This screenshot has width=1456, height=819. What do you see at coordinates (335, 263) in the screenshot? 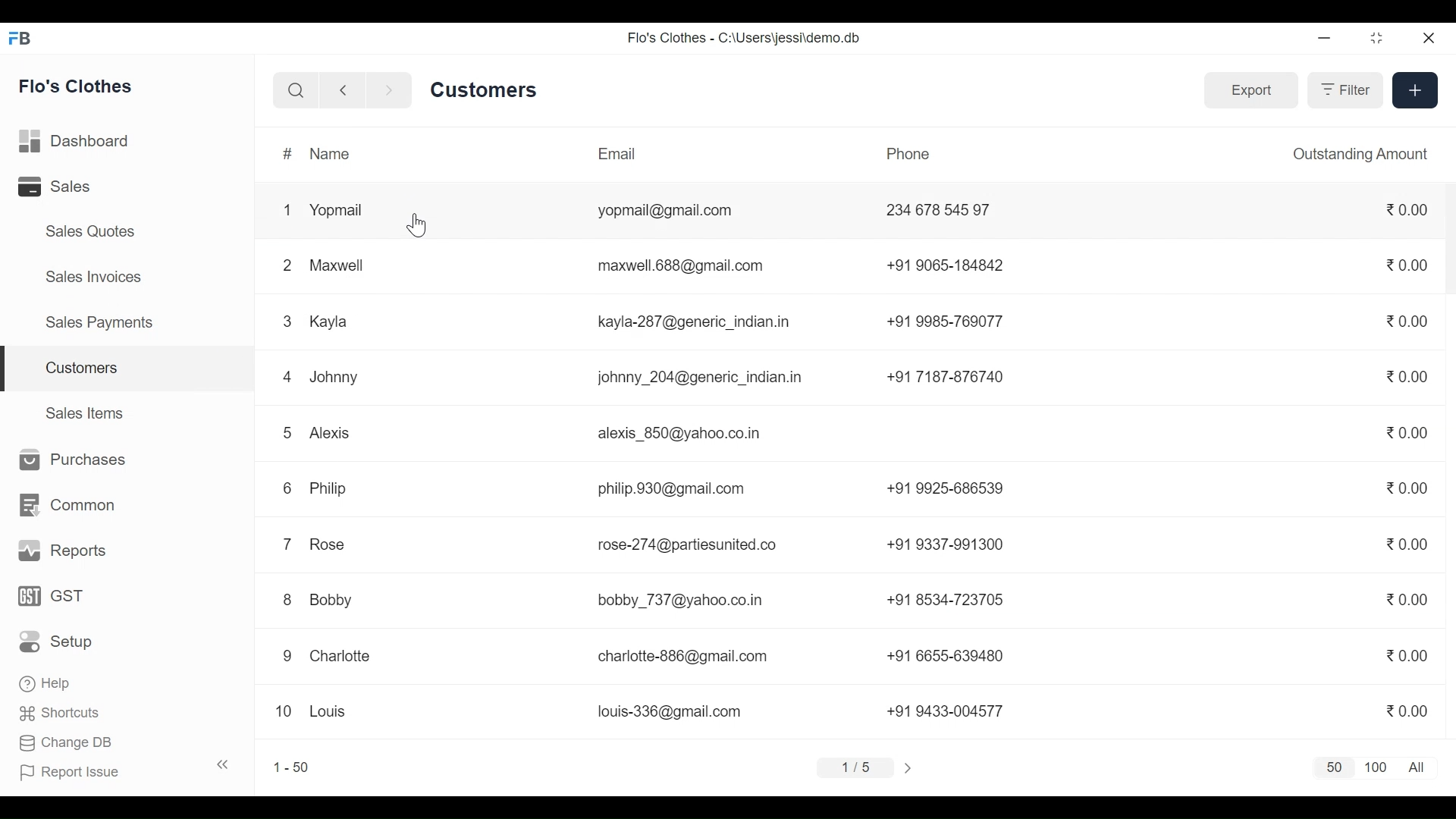
I see `Maxwell` at bounding box center [335, 263].